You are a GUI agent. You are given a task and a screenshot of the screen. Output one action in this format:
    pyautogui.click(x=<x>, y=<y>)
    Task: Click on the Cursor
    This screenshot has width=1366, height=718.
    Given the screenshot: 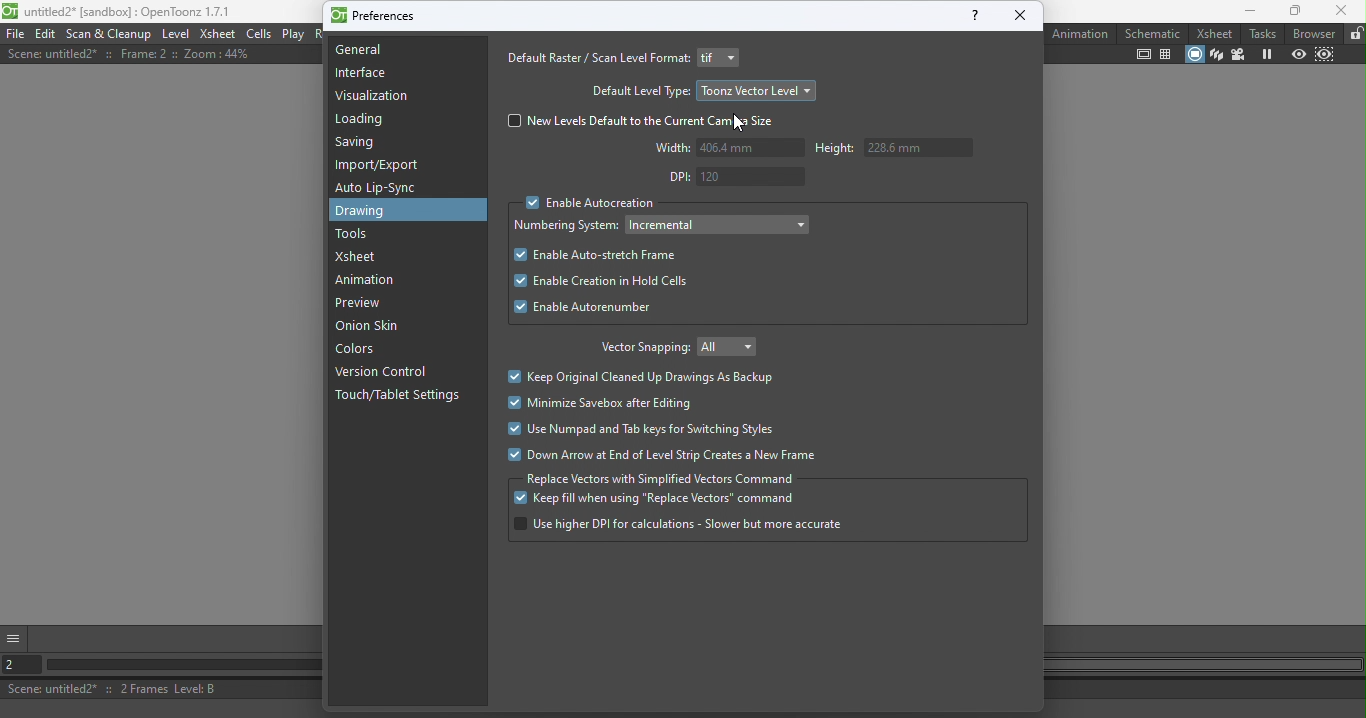 What is the action you would take?
    pyautogui.click(x=738, y=124)
    